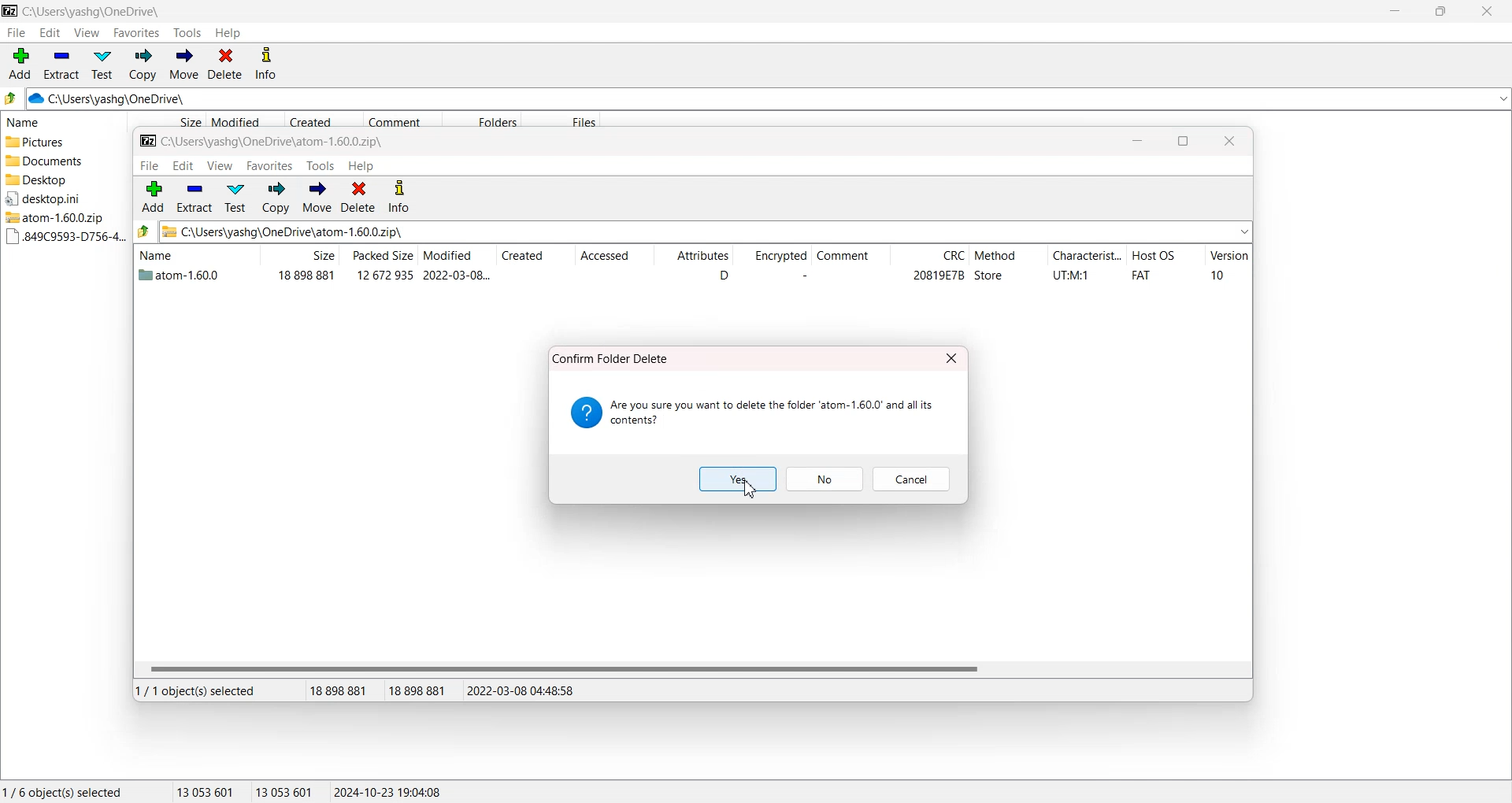 Image resolution: width=1512 pixels, height=803 pixels. What do you see at coordinates (220, 166) in the screenshot?
I see `view` at bounding box center [220, 166].